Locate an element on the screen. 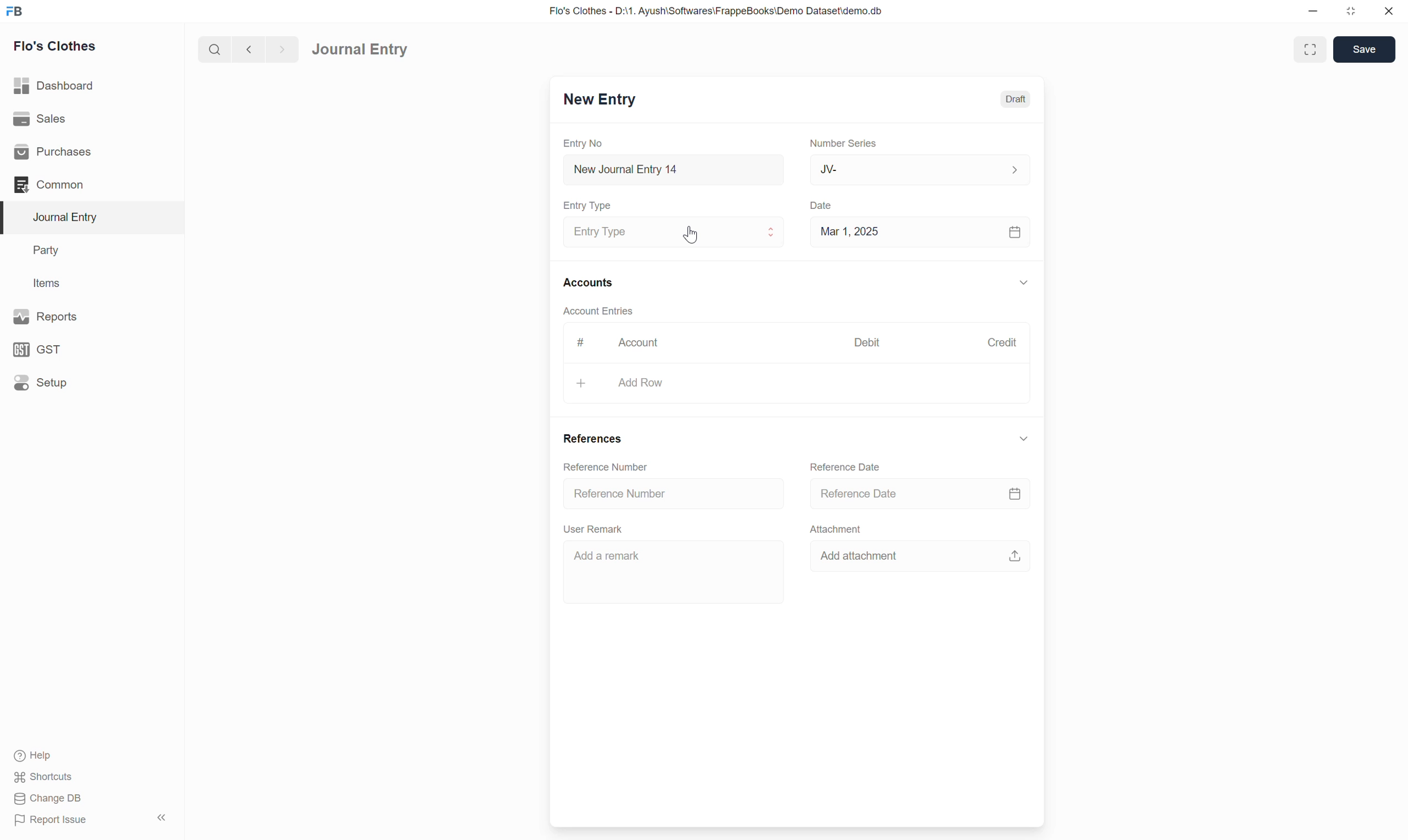  Dashboard is located at coordinates (55, 85).